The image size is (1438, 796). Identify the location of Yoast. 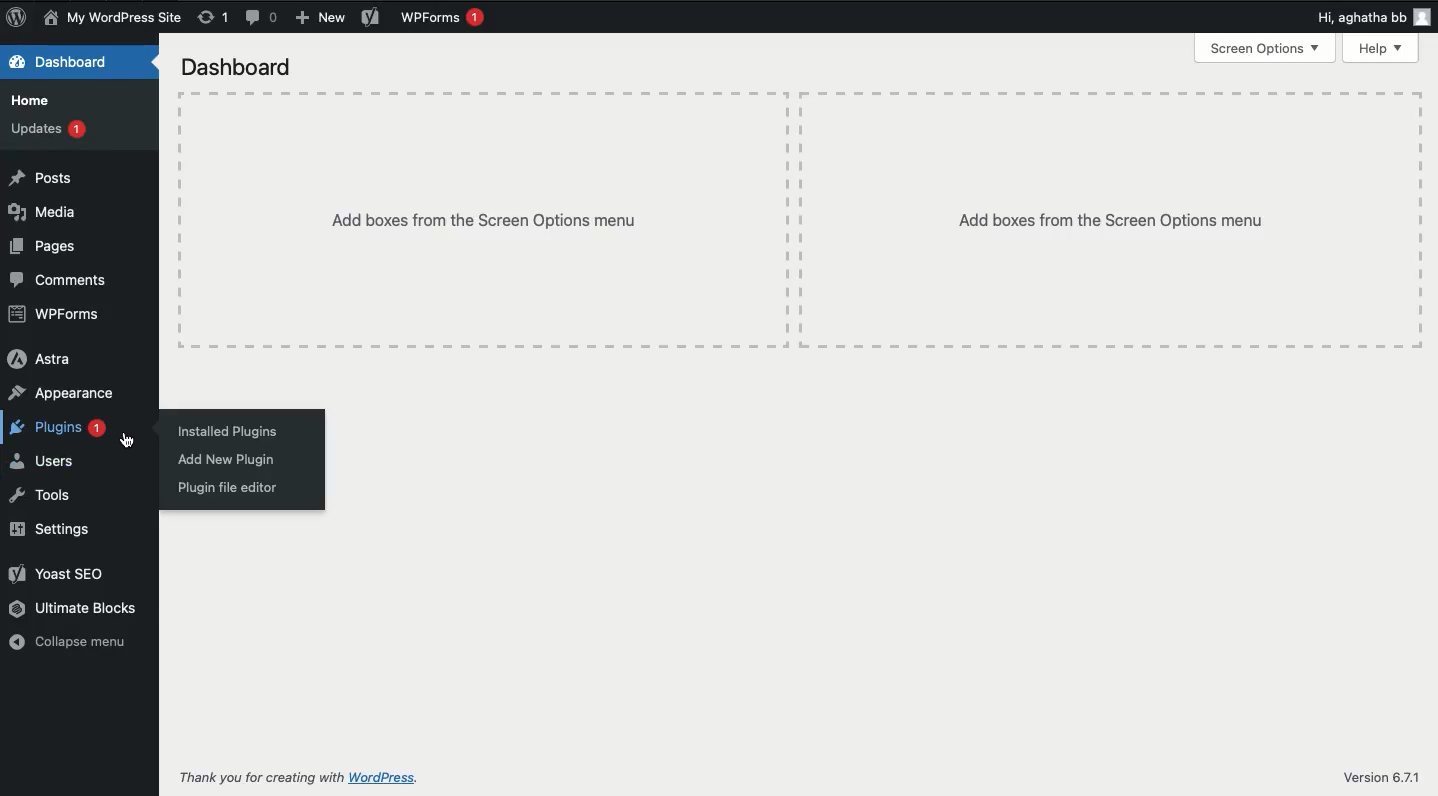
(64, 576).